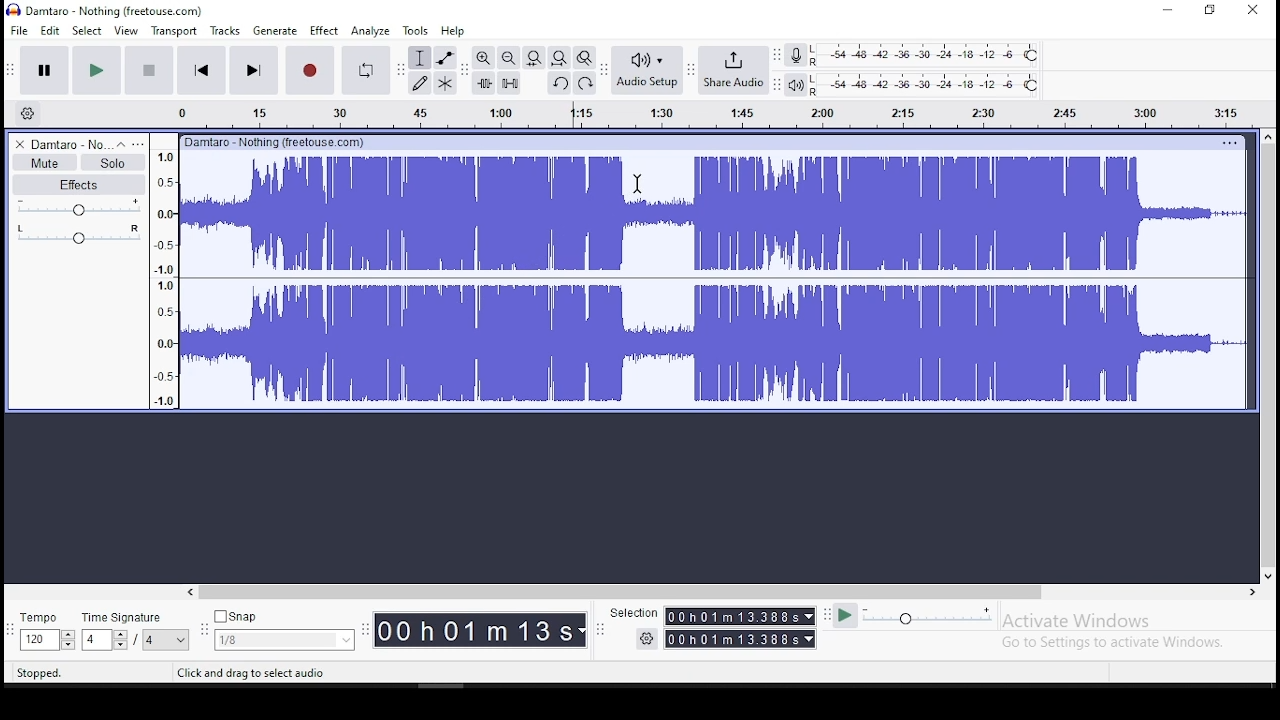 This screenshot has width=1280, height=720. Describe the element at coordinates (138, 143) in the screenshot. I see `open menu` at that location.